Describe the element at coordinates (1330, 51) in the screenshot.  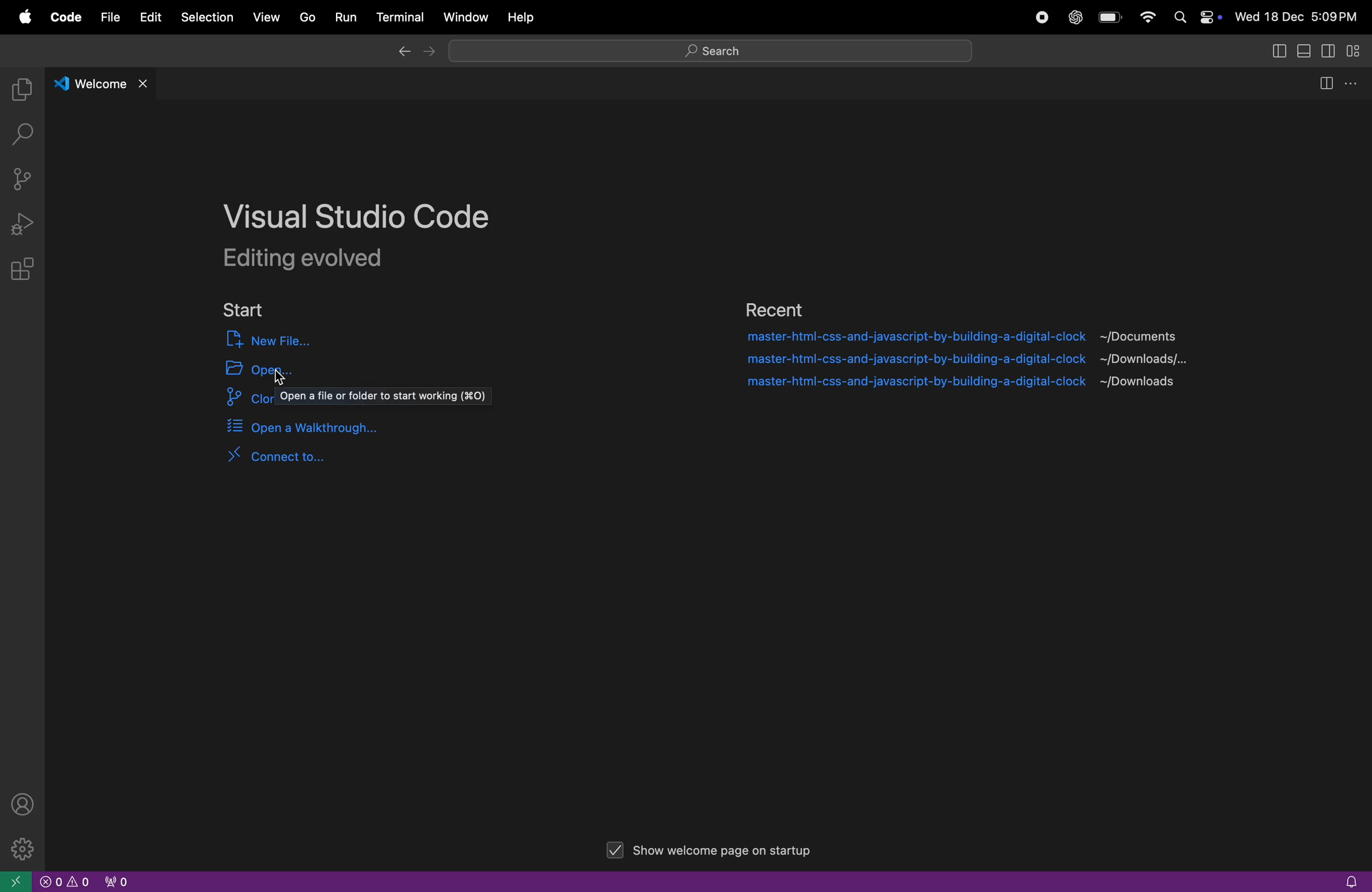
I see `toggle secondary side panel` at that location.